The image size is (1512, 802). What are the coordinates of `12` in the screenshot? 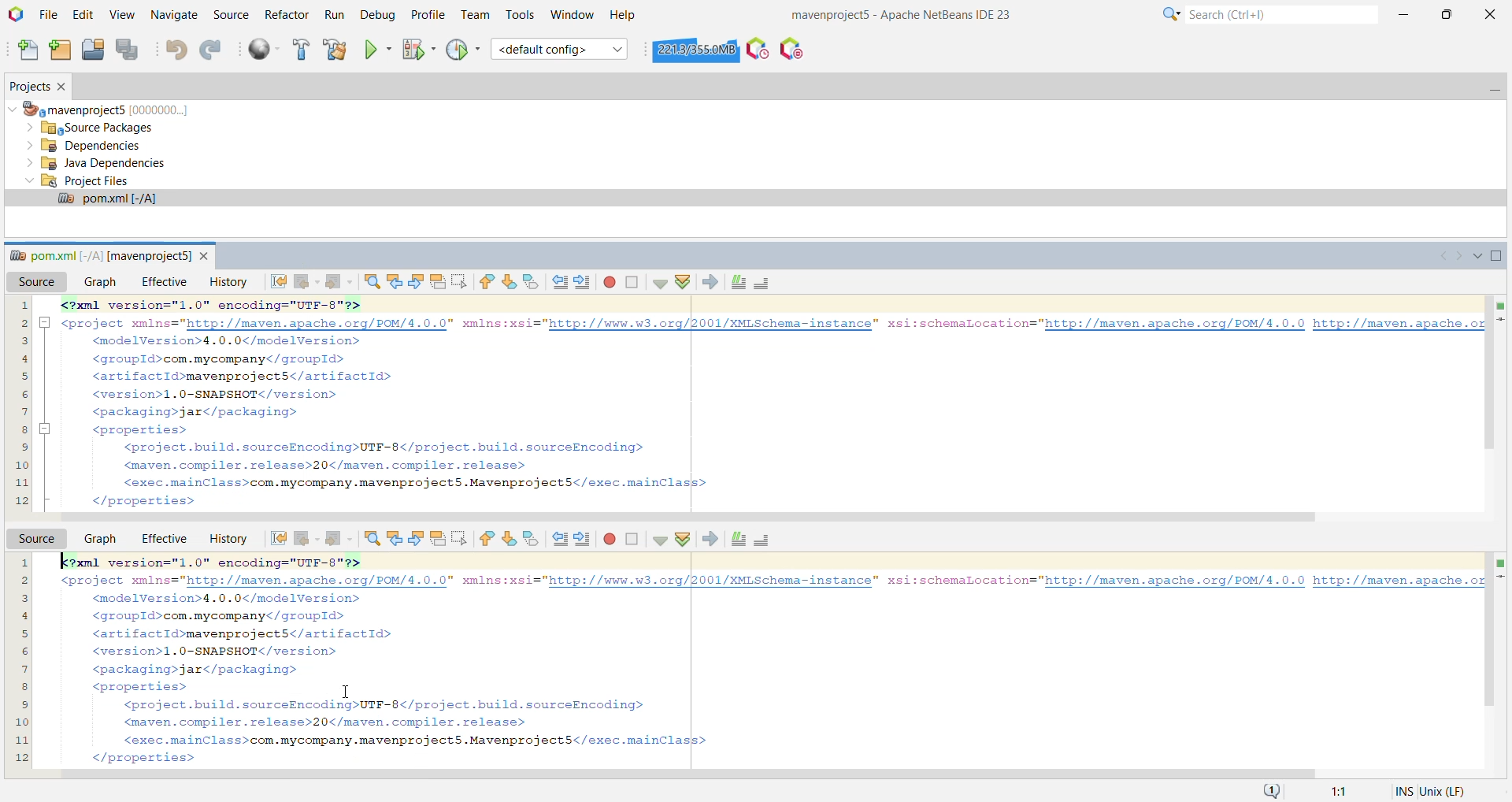 It's located at (20, 499).